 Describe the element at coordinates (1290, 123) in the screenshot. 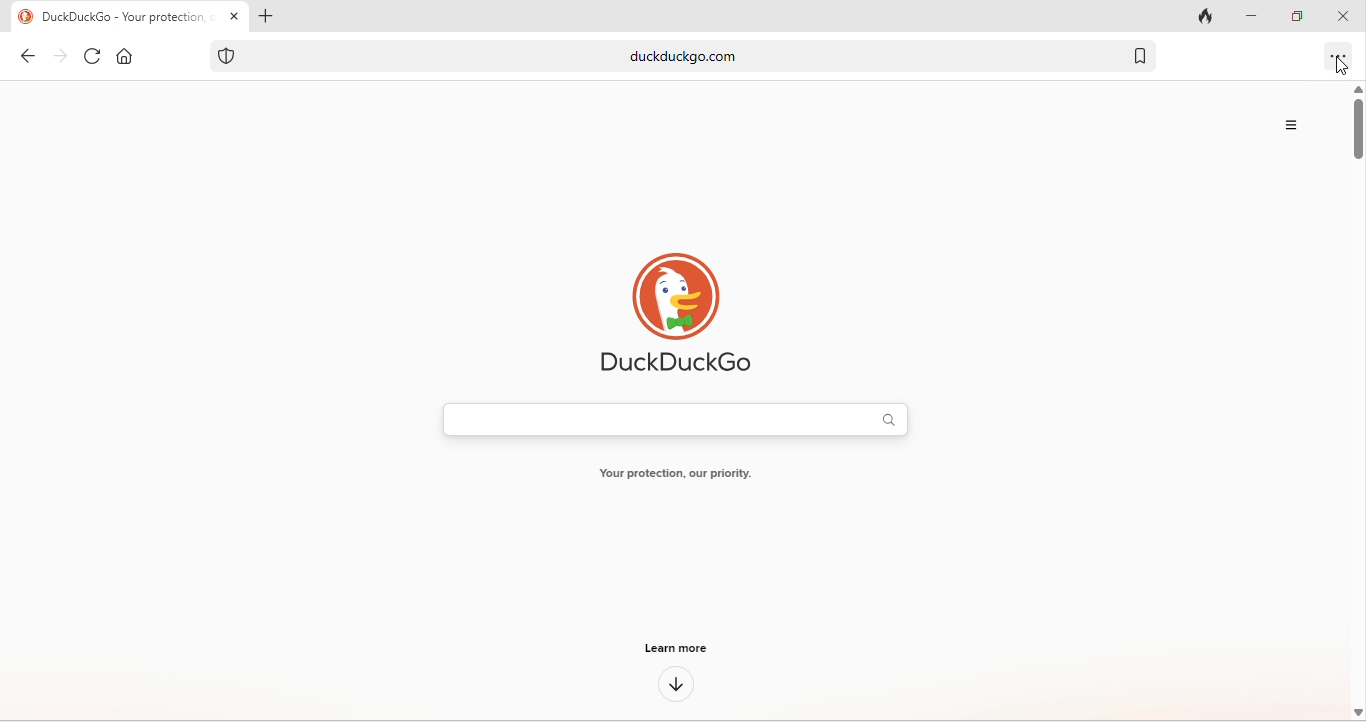

I see `more option` at that location.